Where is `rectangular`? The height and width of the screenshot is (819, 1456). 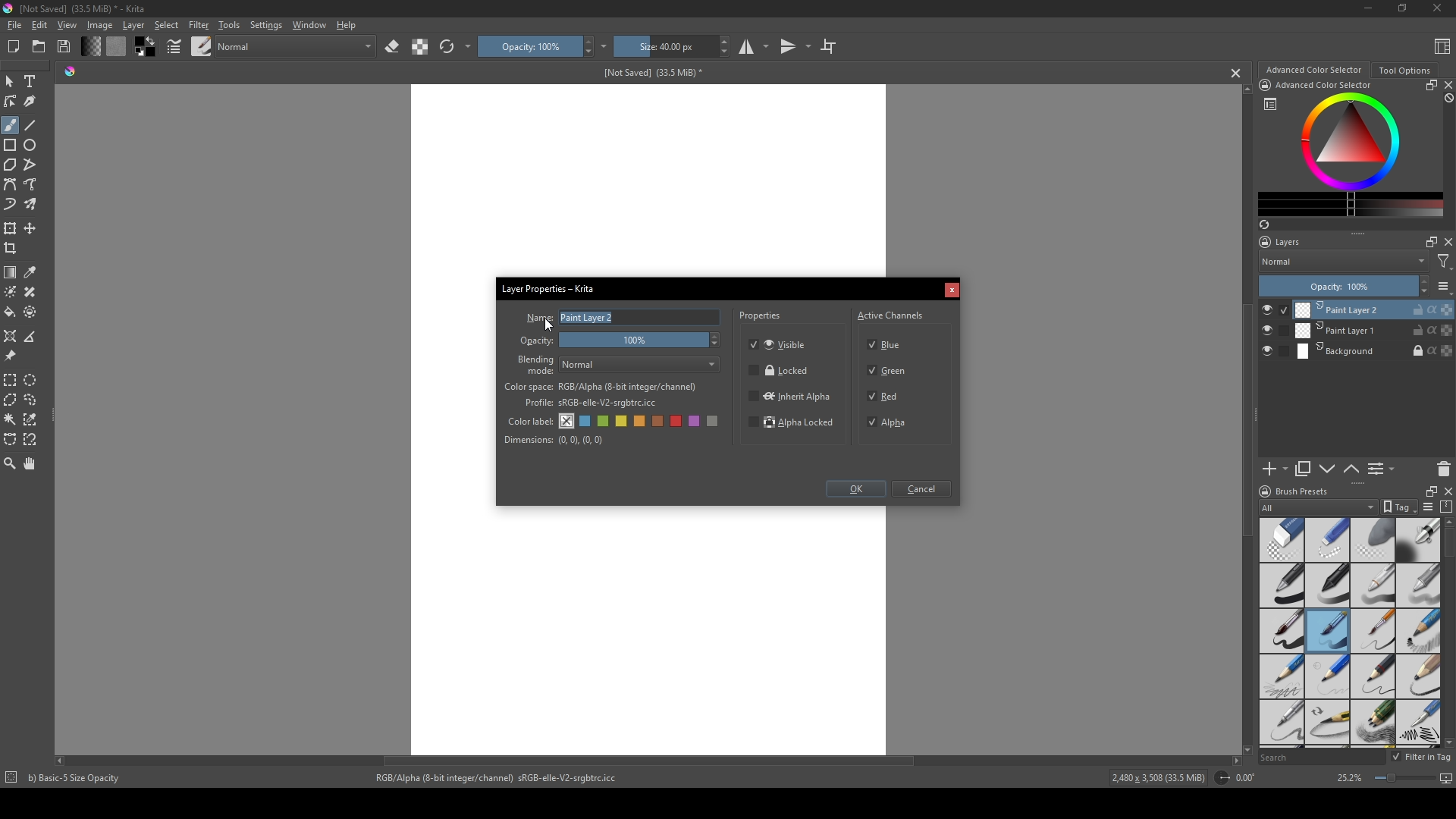
rectangular is located at coordinates (11, 379).